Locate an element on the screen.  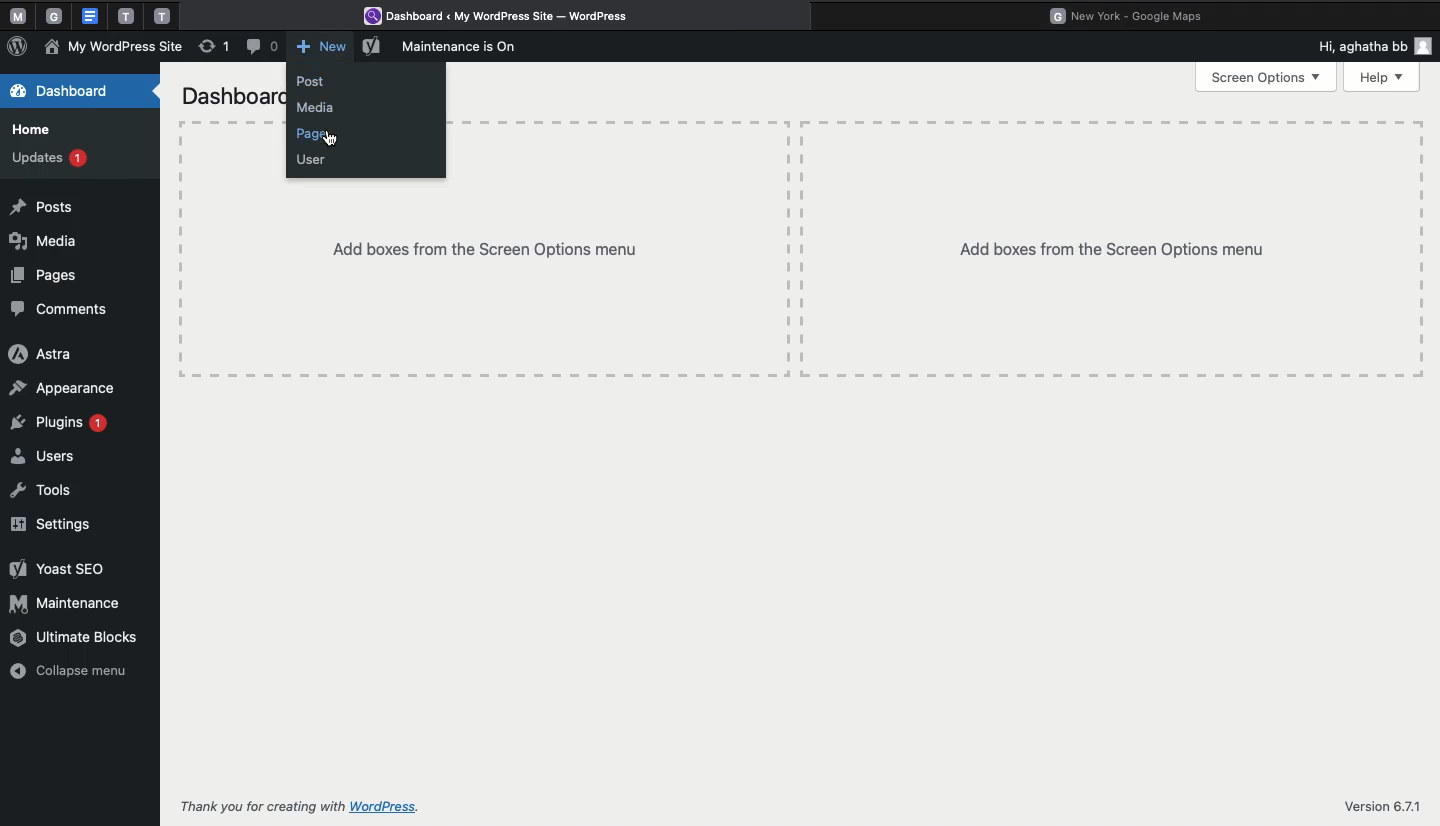
Yoast is located at coordinates (54, 571).